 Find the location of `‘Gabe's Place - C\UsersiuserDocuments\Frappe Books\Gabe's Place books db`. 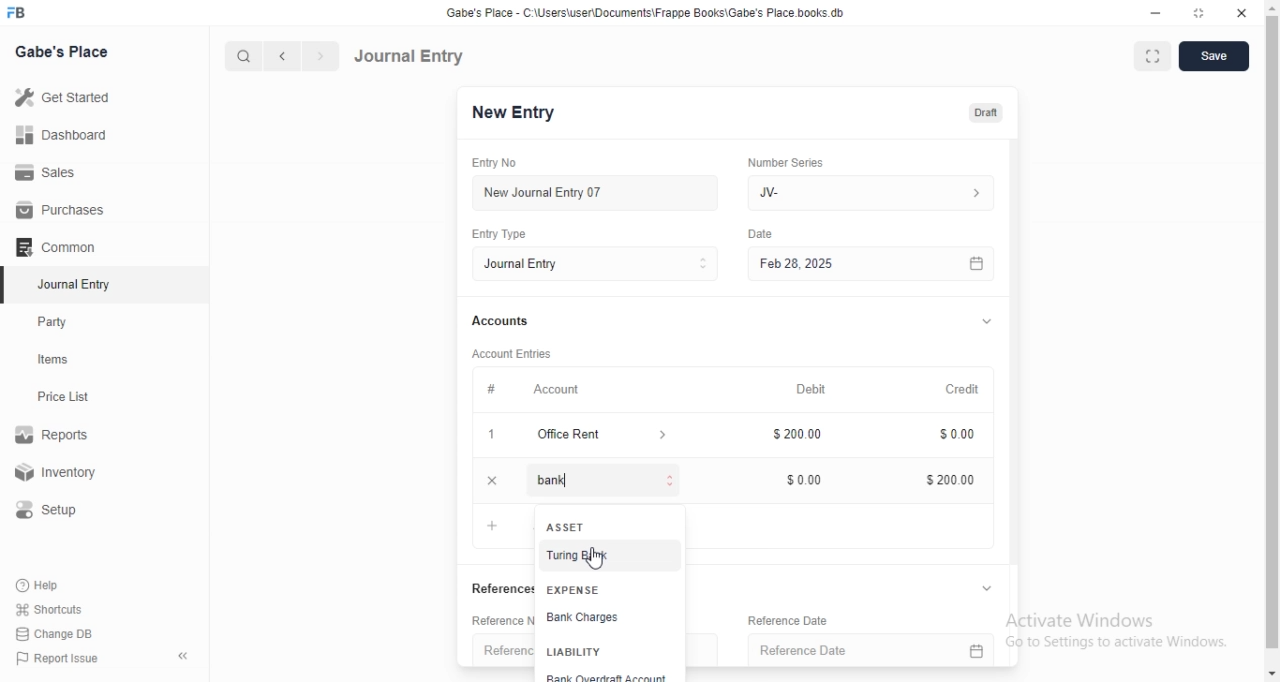

‘Gabe's Place - C\UsersiuserDocuments\Frappe Books\Gabe's Place books db is located at coordinates (653, 12).